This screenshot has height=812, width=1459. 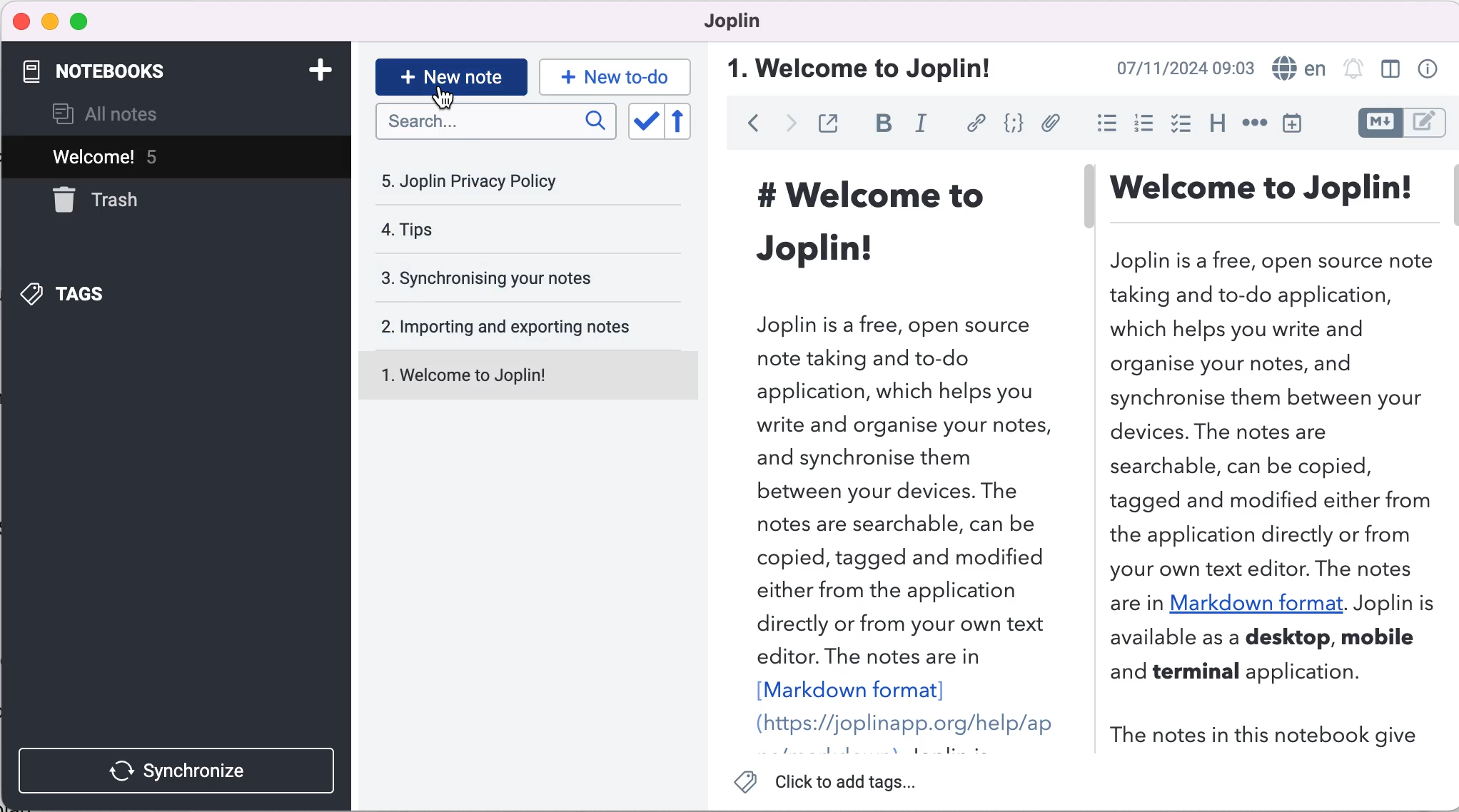 What do you see at coordinates (1216, 123) in the screenshot?
I see `heading` at bounding box center [1216, 123].